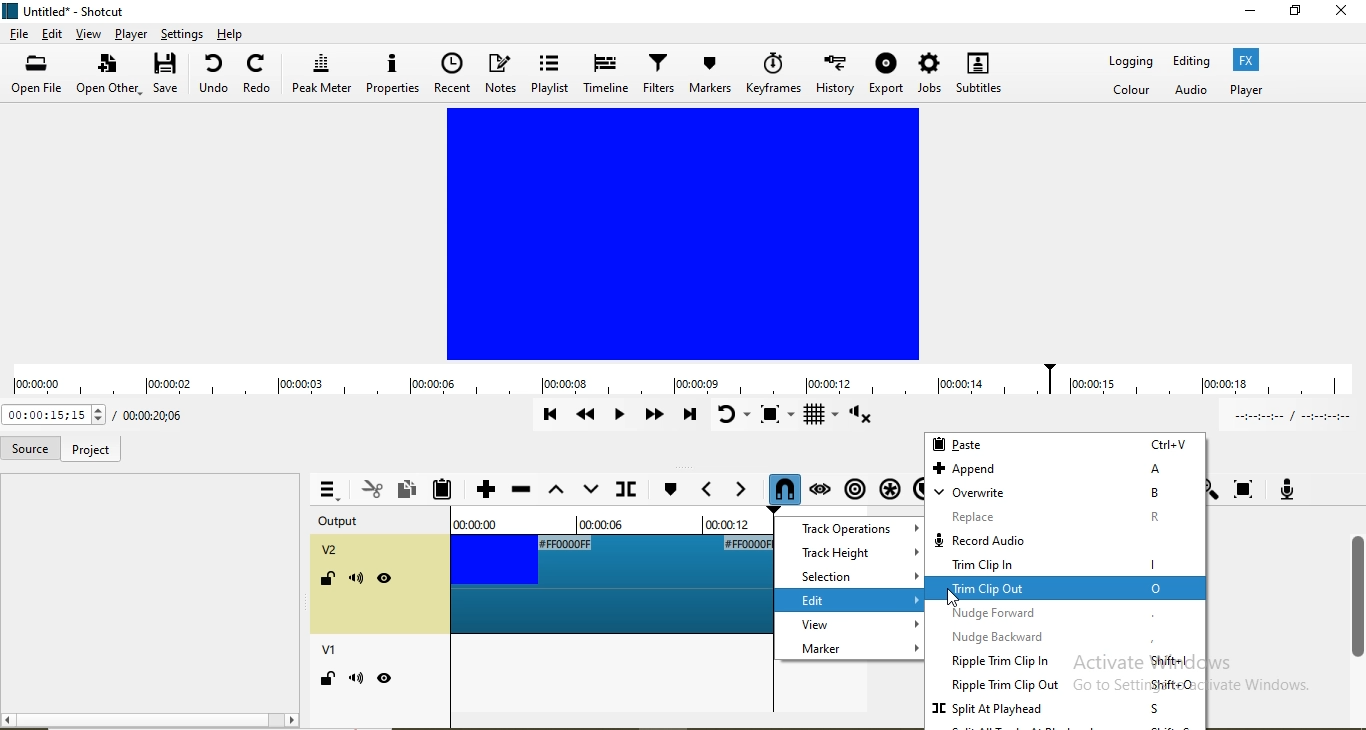 Image resolution: width=1366 pixels, height=730 pixels. What do you see at coordinates (852, 577) in the screenshot?
I see `selection` at bounding box center [852, 577].